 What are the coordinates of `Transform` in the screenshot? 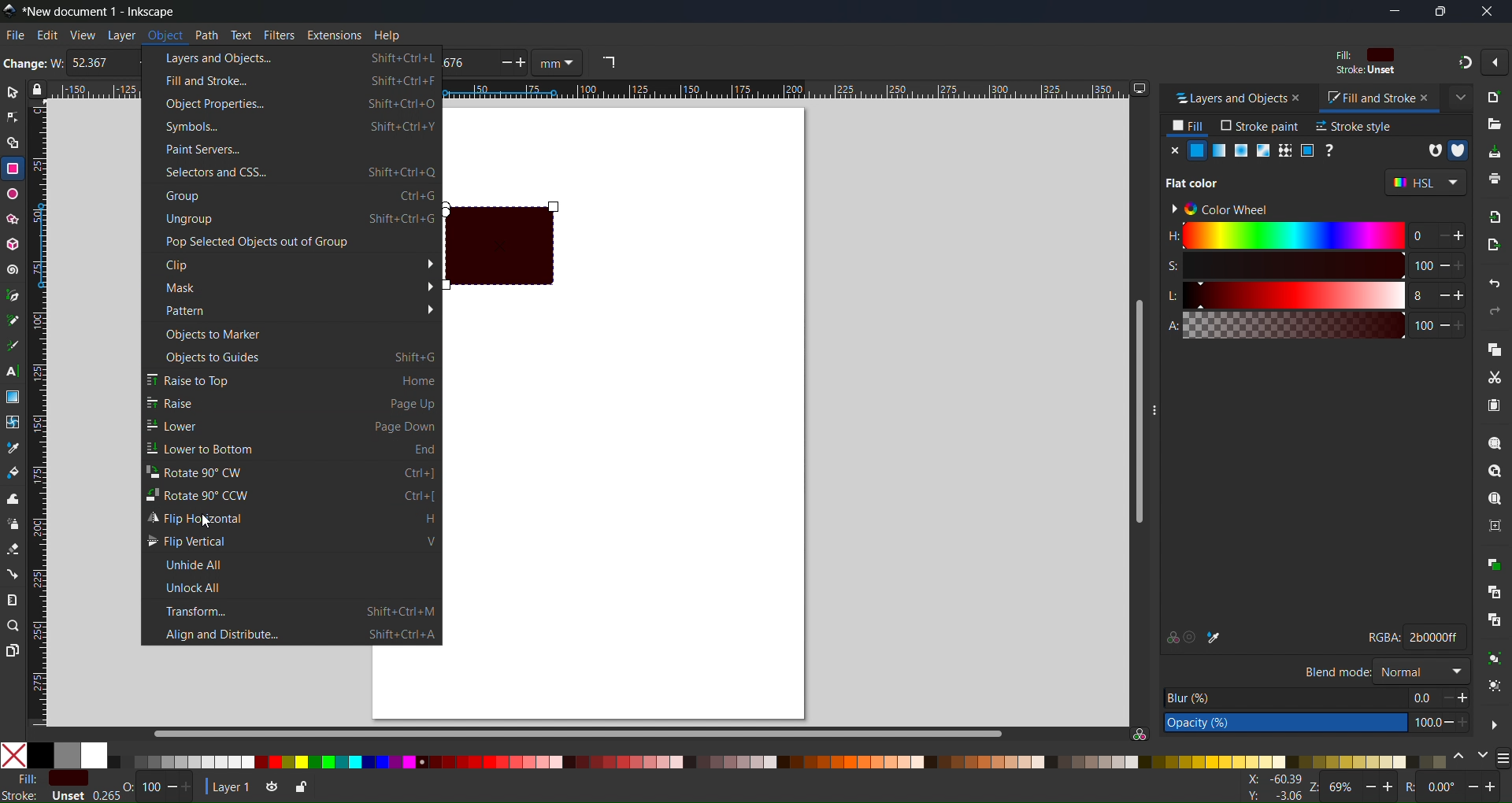 It's located at (292, 610).